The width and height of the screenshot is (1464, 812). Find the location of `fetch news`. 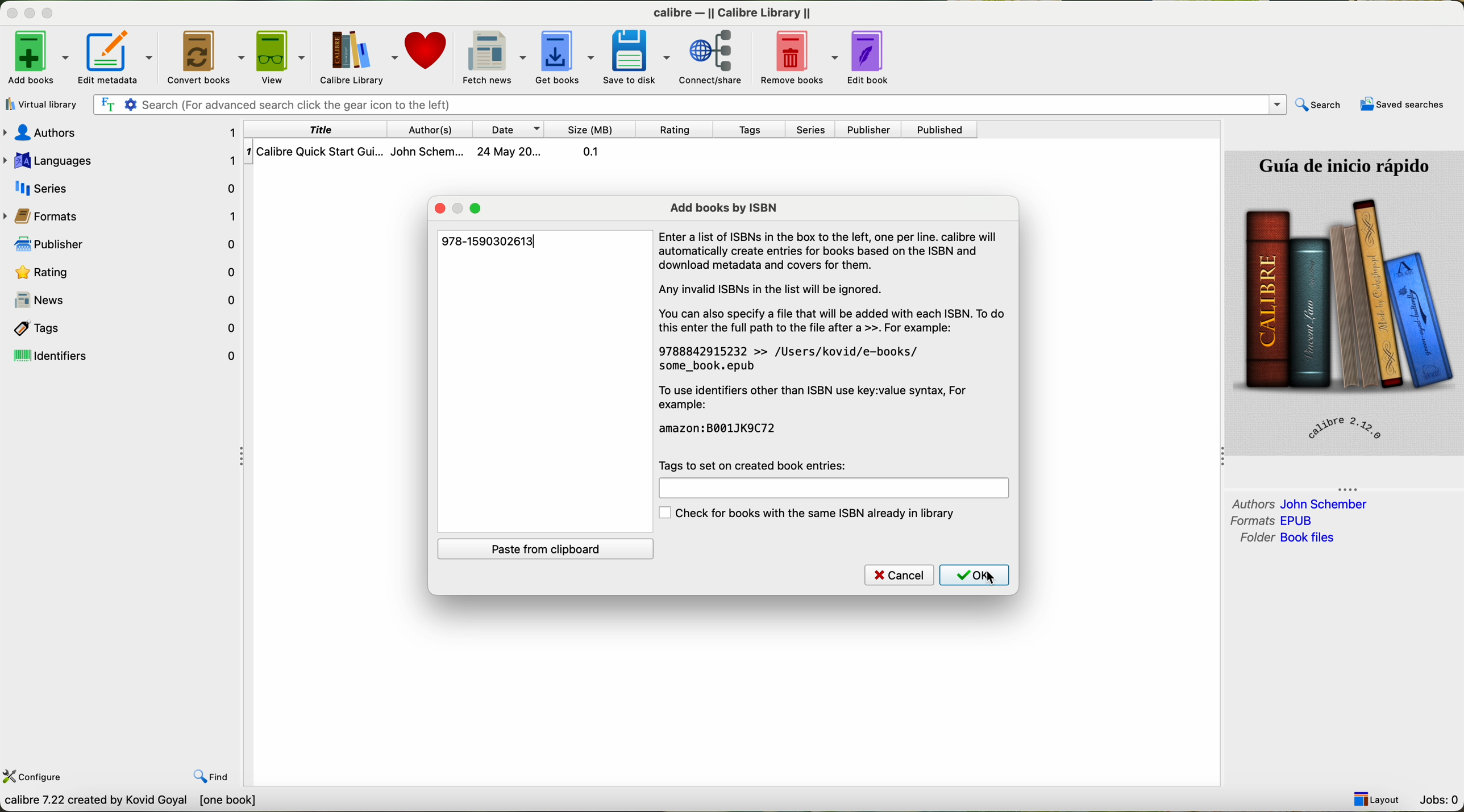

fetch news is located at coordinates (494, 56).